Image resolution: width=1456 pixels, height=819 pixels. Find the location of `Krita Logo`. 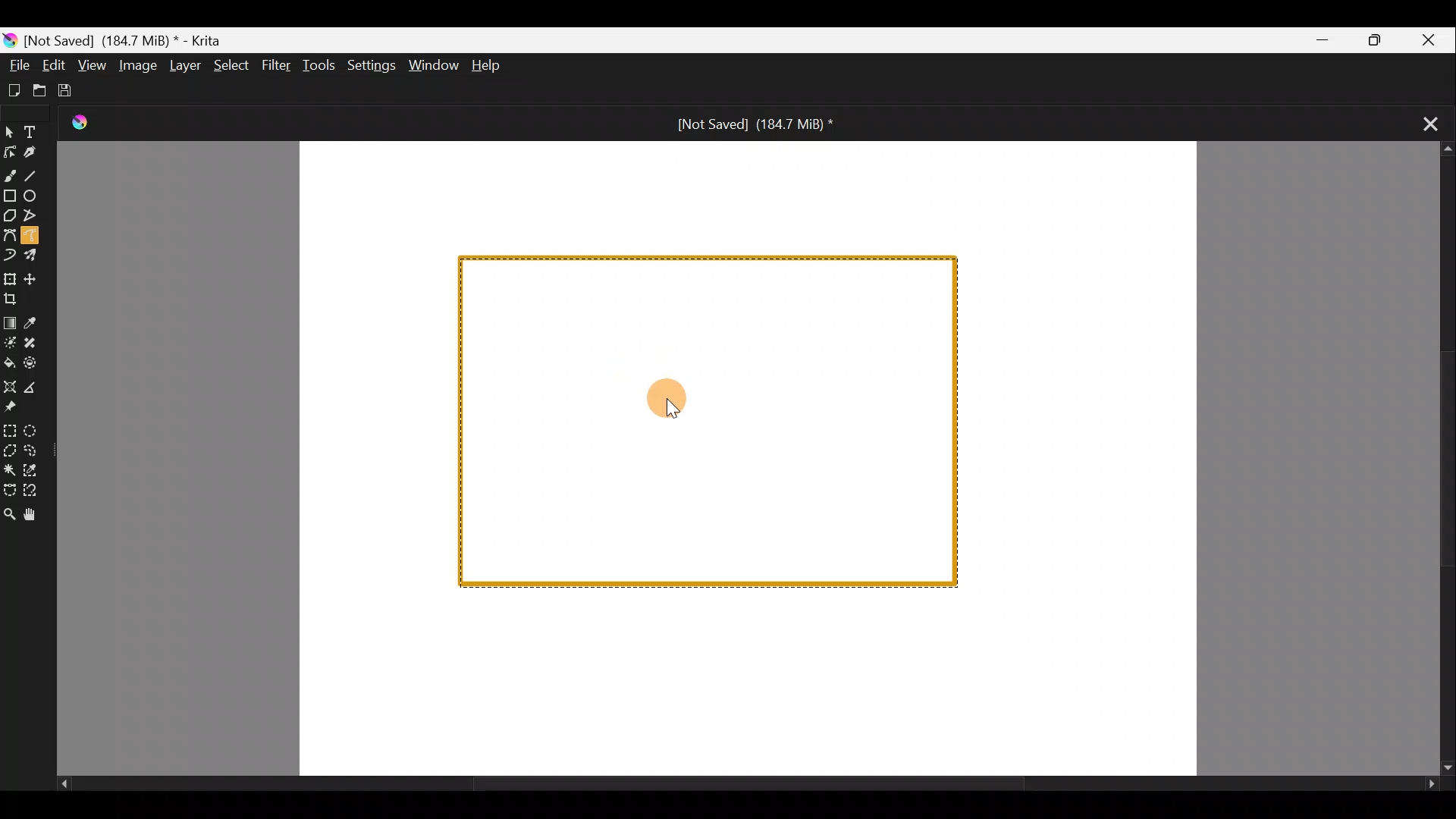

Krita Logo is located at coordinates (78, 118).